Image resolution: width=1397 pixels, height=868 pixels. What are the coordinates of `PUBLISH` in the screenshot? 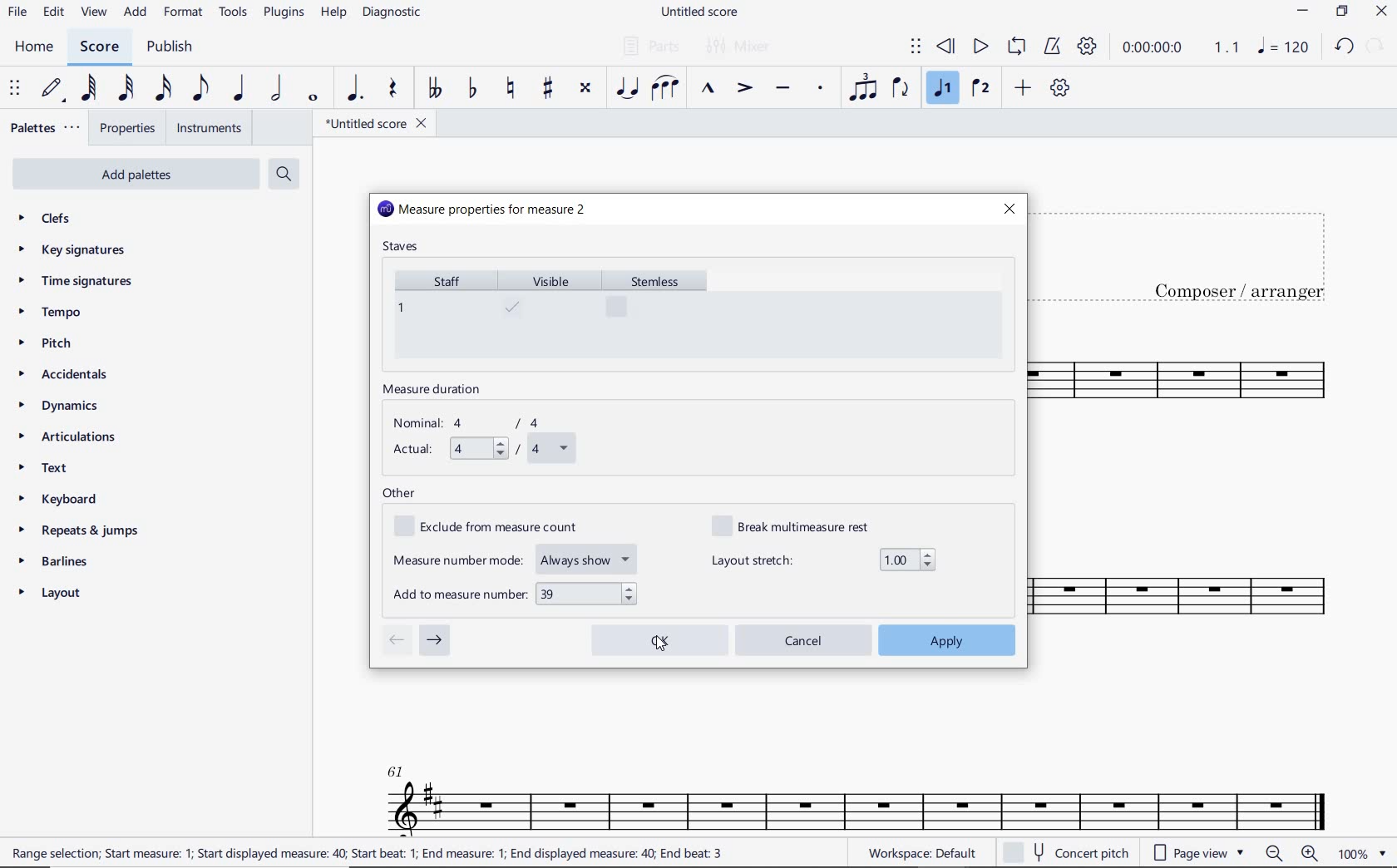 It's located at (170, 48).